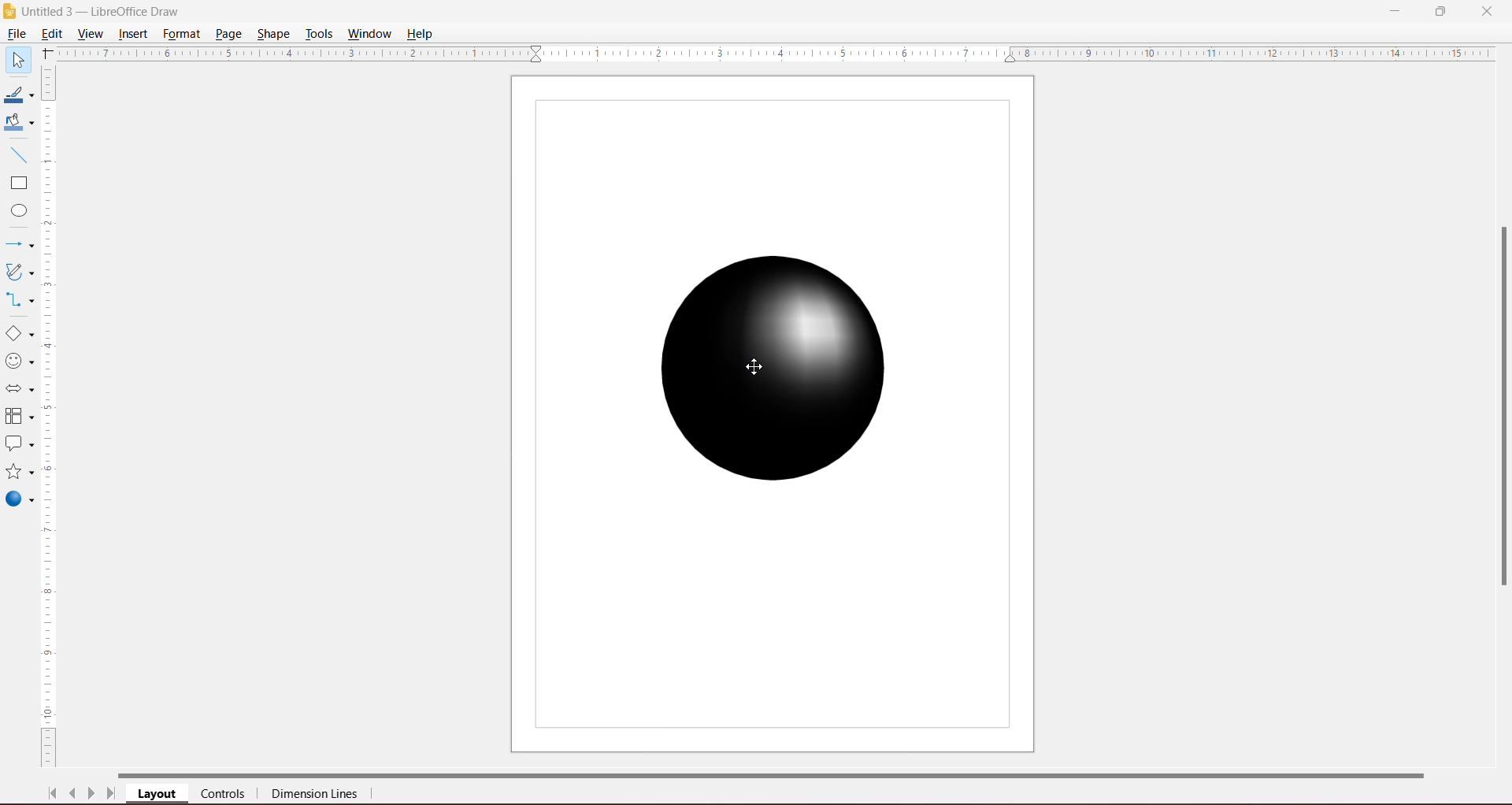 Image resolution: width=1512 pixels, height=805 pixels. I want to click on Help, so click(421, 35).